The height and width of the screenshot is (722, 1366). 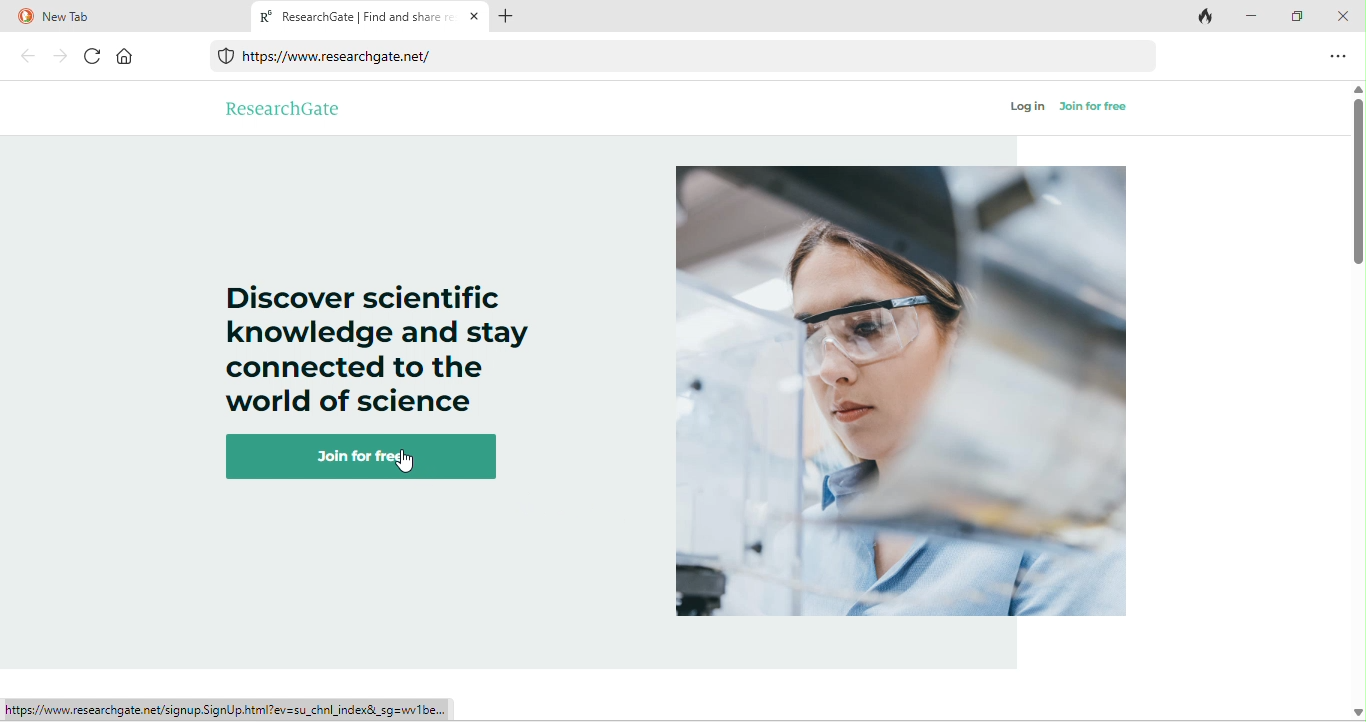 What do you see at coordinates (507, 15) in the screenshot?
I see `add` at bounding box center [507, 15].